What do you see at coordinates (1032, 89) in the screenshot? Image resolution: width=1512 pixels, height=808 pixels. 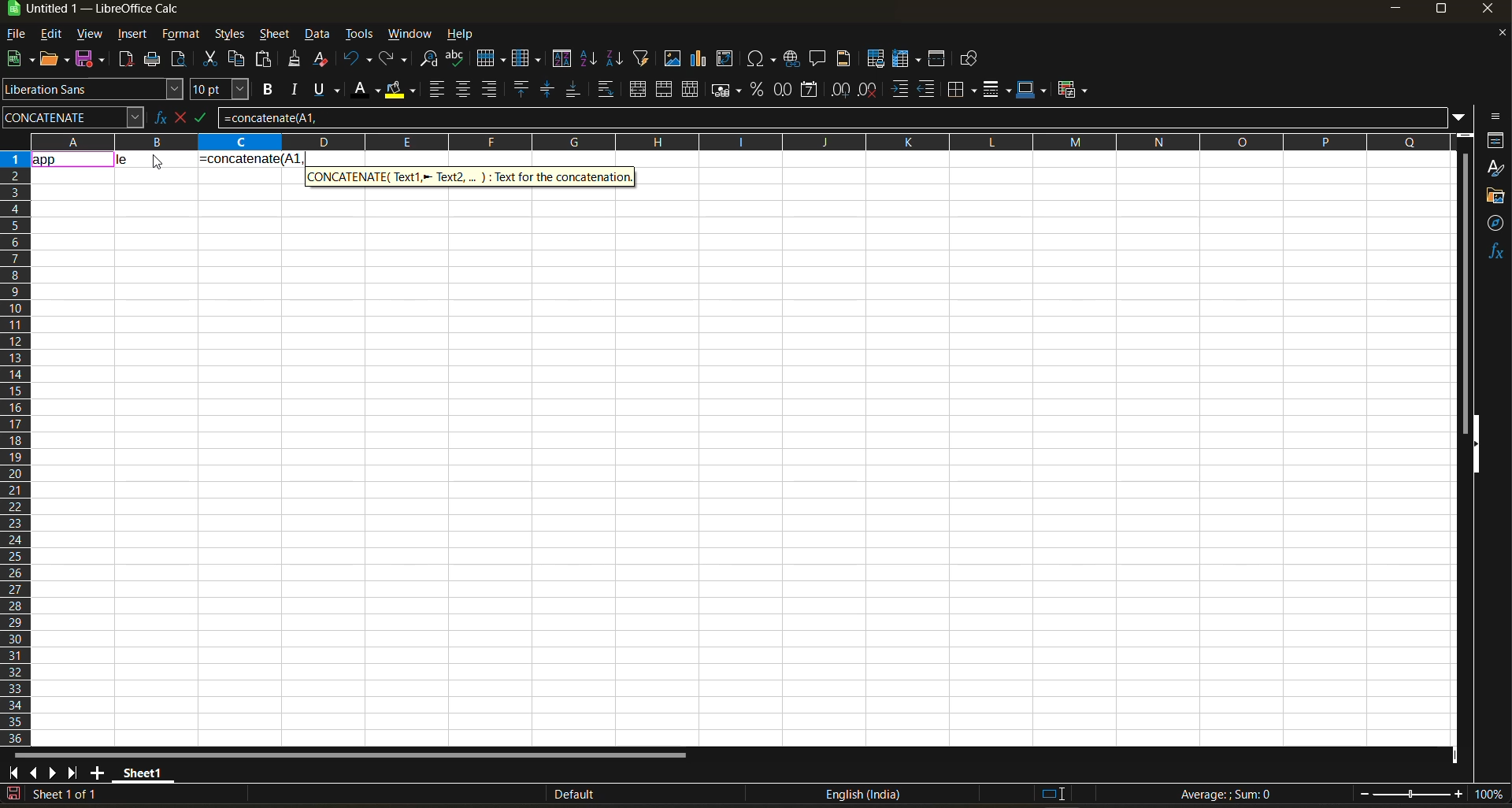 I see `border color` at bounding box center [1032, 89].